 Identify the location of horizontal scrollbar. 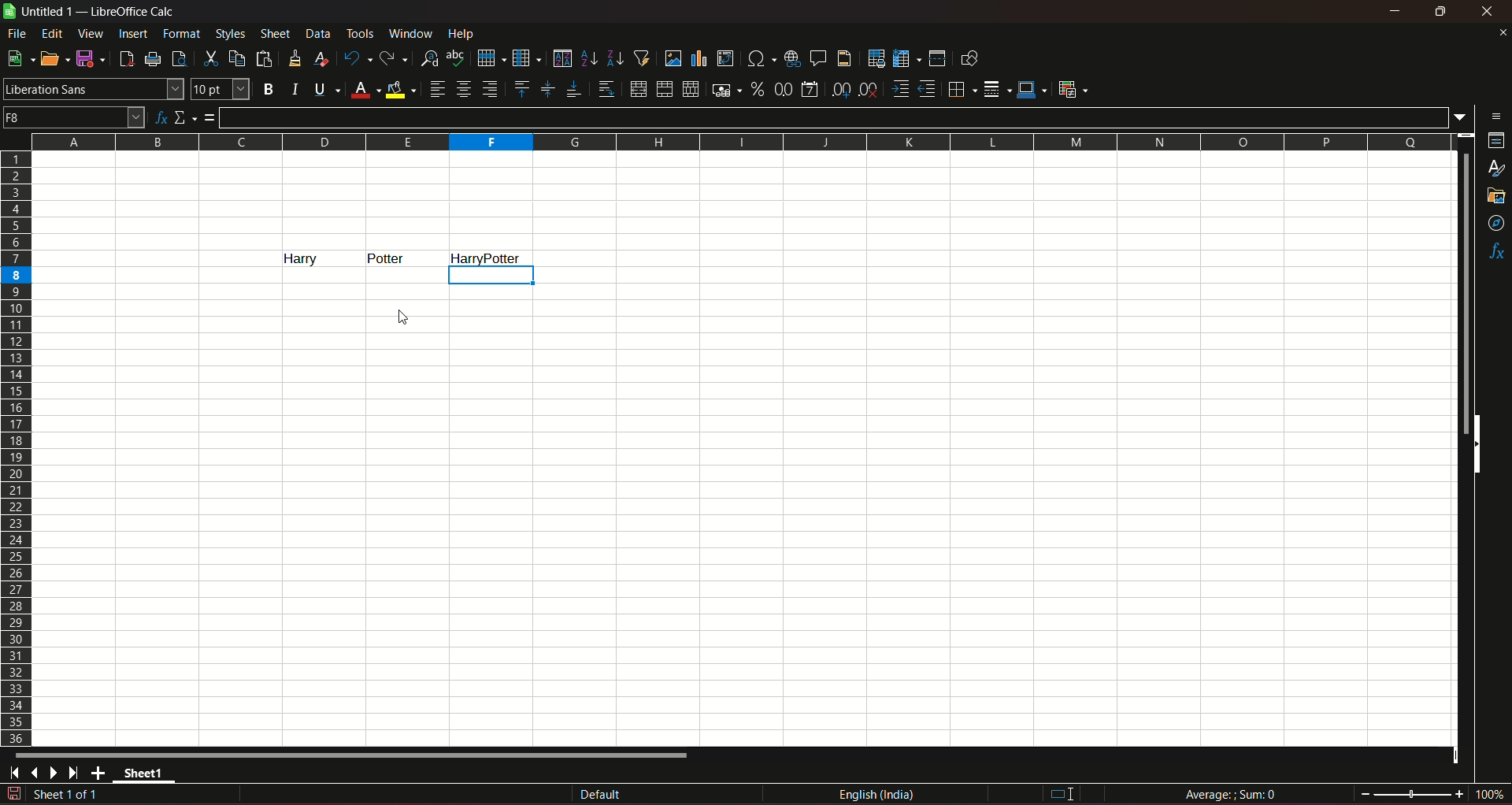
(353, 755).